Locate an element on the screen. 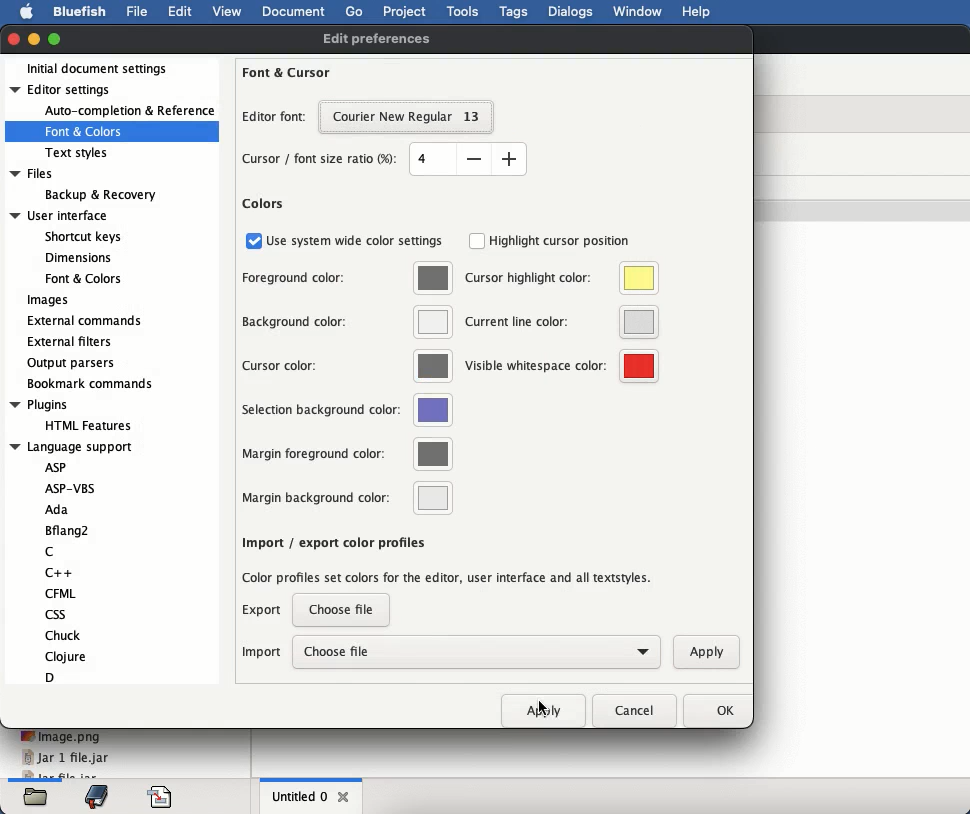 This screenshot has width=970, height=814. font and cursor is located at coordinates (287, 71).